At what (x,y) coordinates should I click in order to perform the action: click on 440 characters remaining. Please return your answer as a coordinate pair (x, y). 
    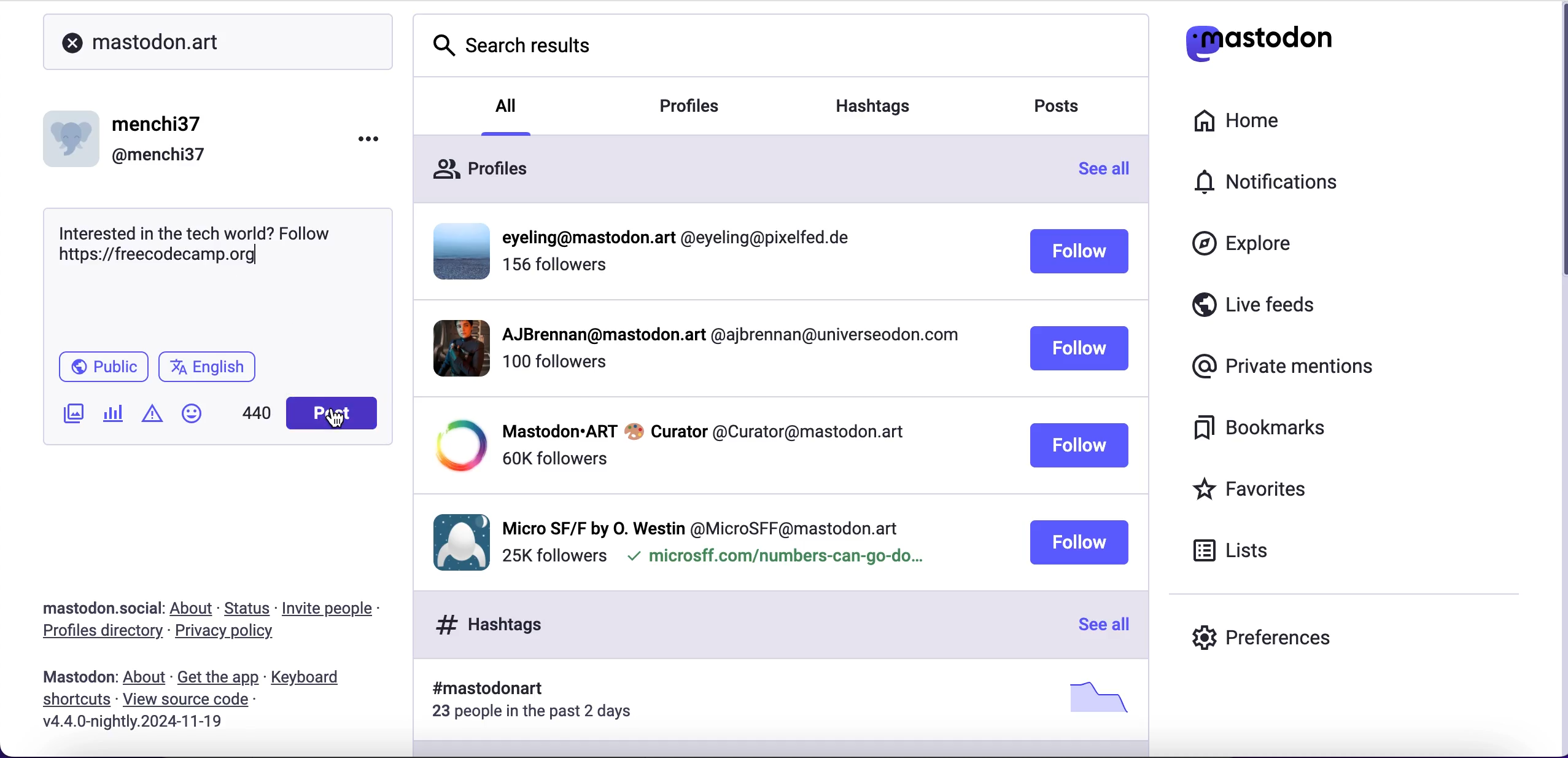
    Looking at the image, I should click on (259, 415).